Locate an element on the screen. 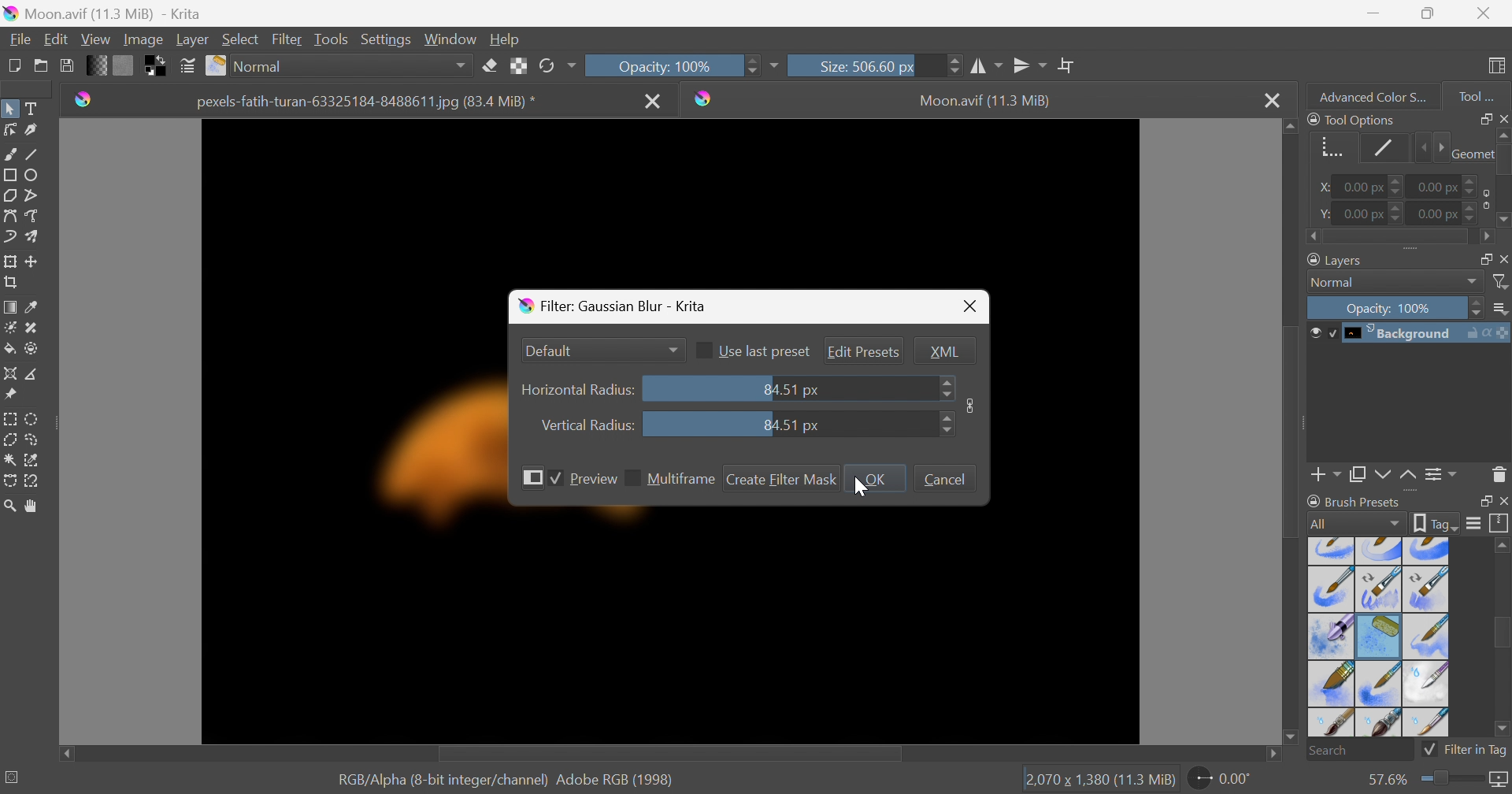  Scroll right is located at coordinates (1276, 755).